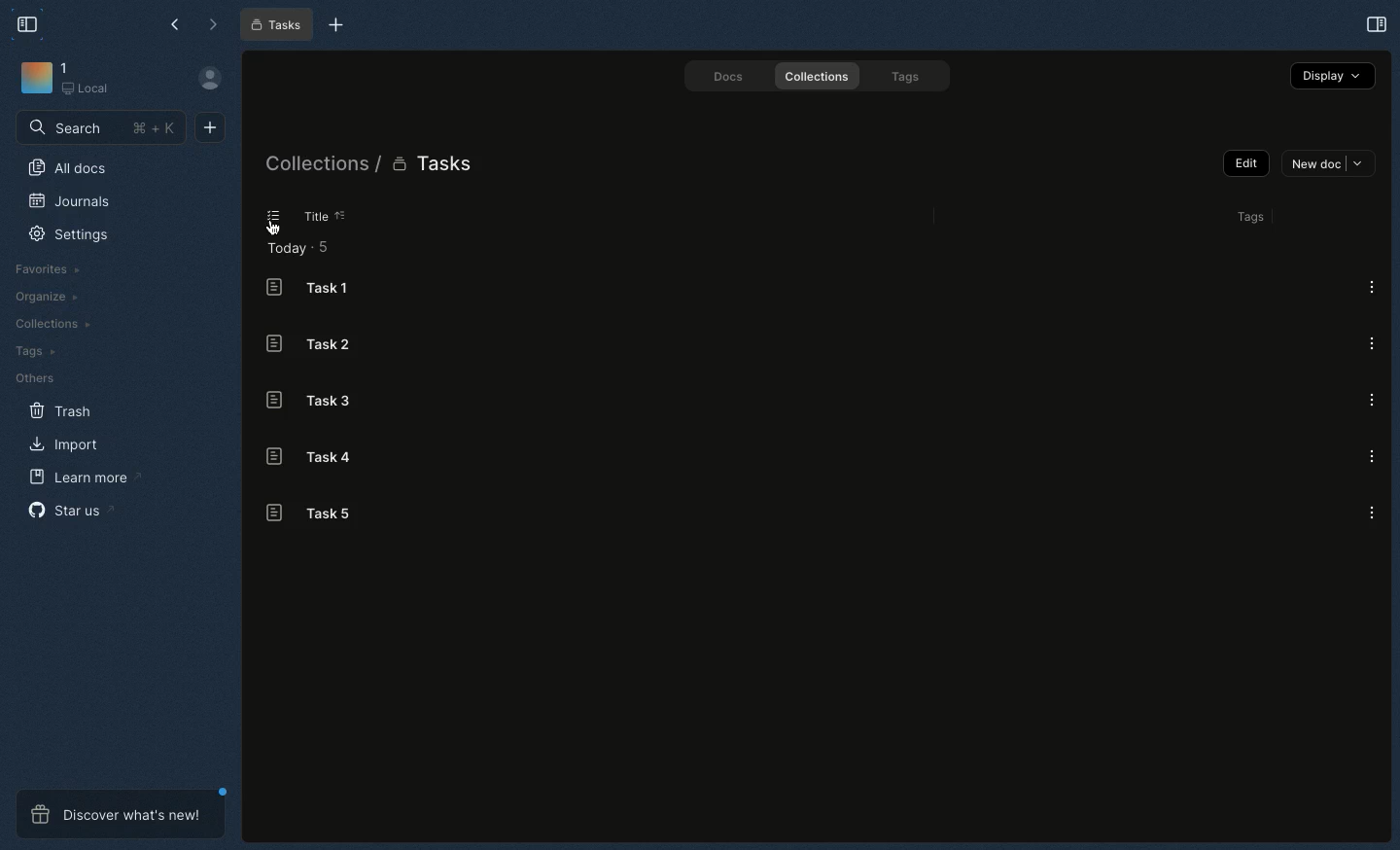 The image size is (1400, 850). What do you see at coordinates (66, 445) in the screenshot?
I see `Import` at bounding box center [66, 445].